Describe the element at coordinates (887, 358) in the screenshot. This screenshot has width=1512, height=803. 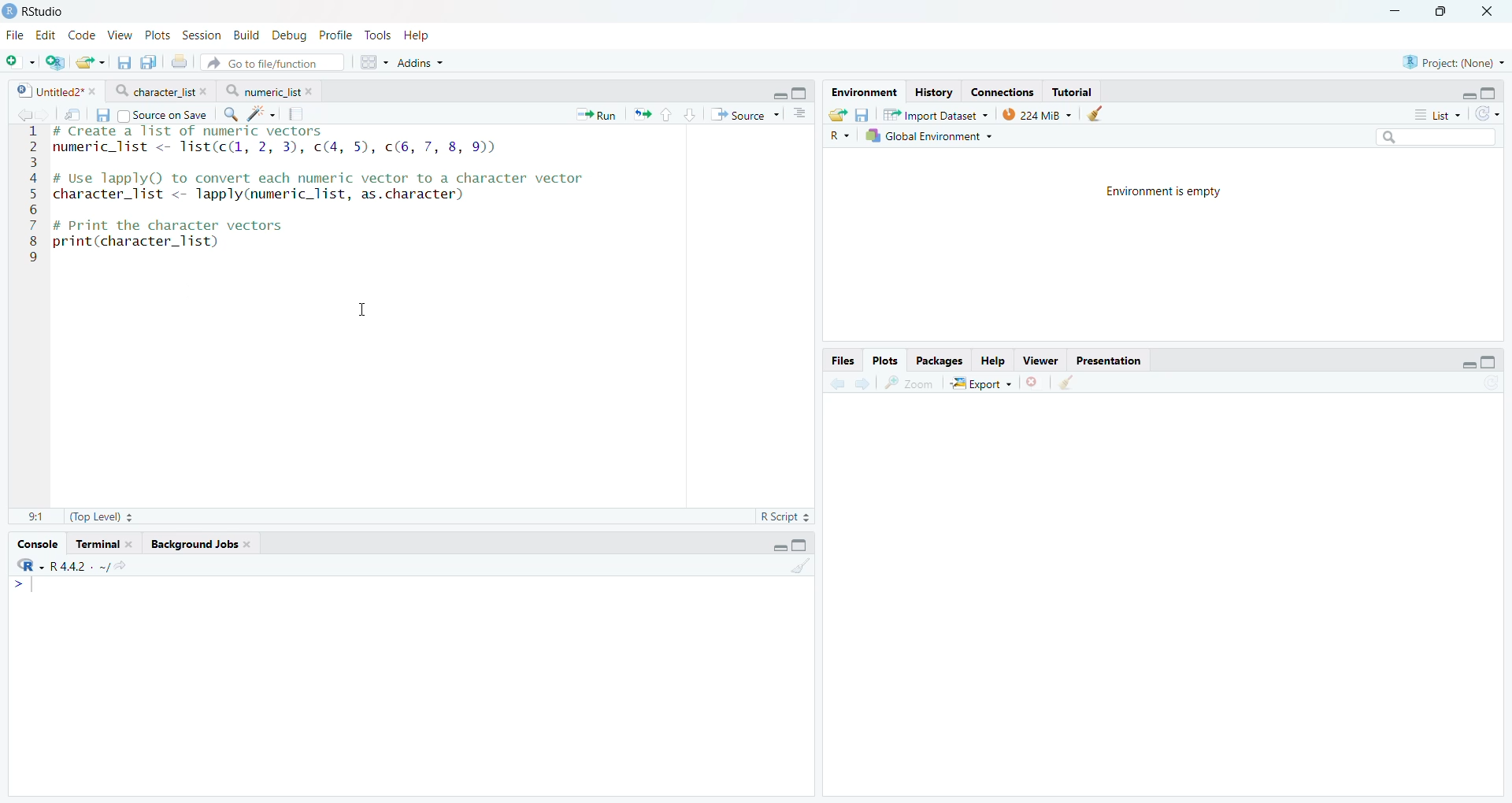
I see `Plots` at that location.